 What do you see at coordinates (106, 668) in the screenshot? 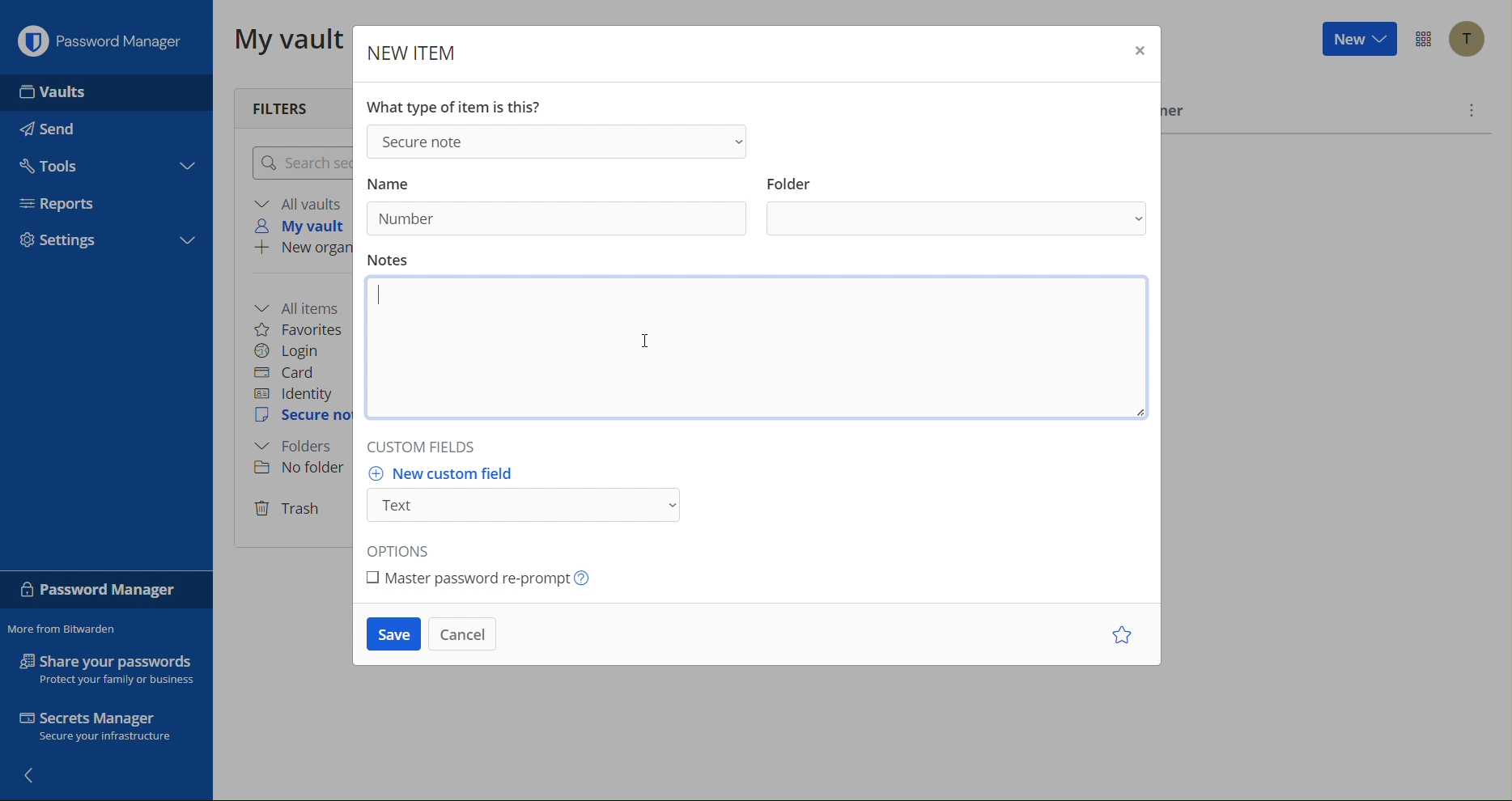
I see `Share your passwords` at bounding box center [106, 668].